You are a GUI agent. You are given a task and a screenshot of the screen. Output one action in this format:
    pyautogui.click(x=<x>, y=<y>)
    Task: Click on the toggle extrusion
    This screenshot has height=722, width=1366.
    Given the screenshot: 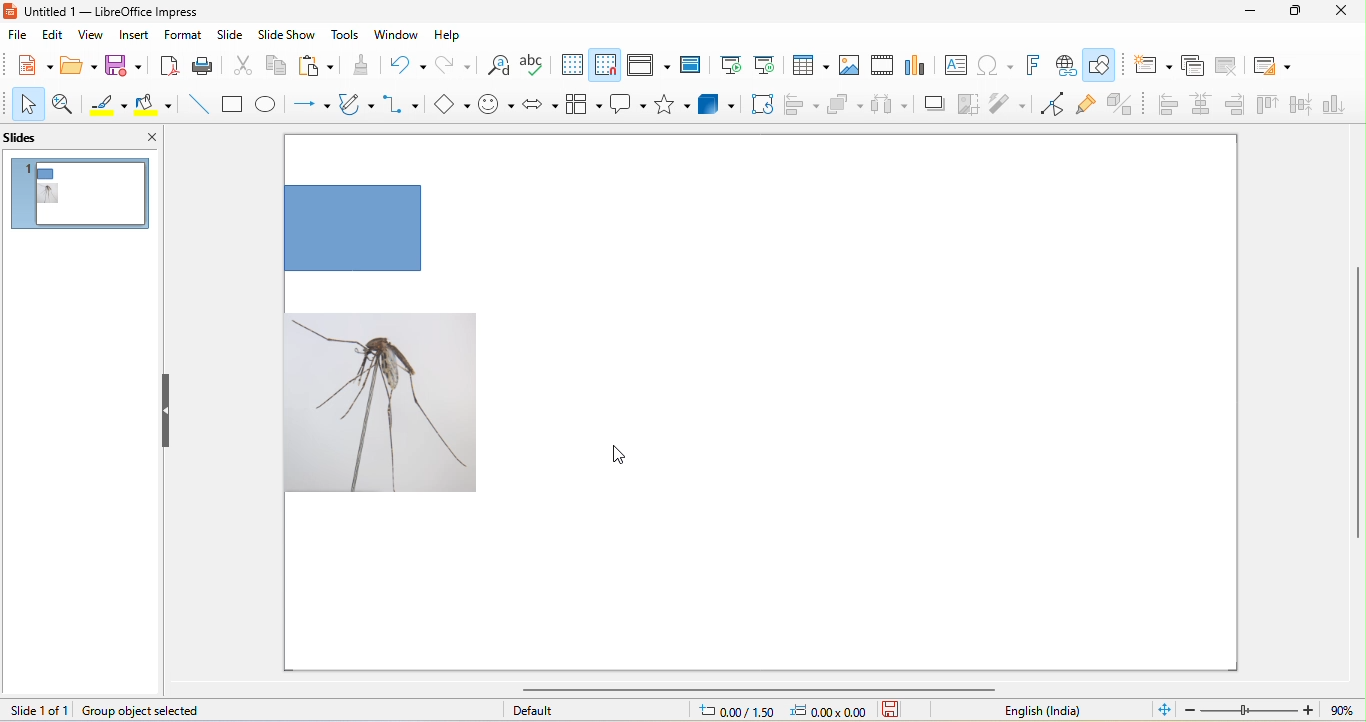 What is the action you would take?
    pyautogui.click(x=1127, y=104)
    